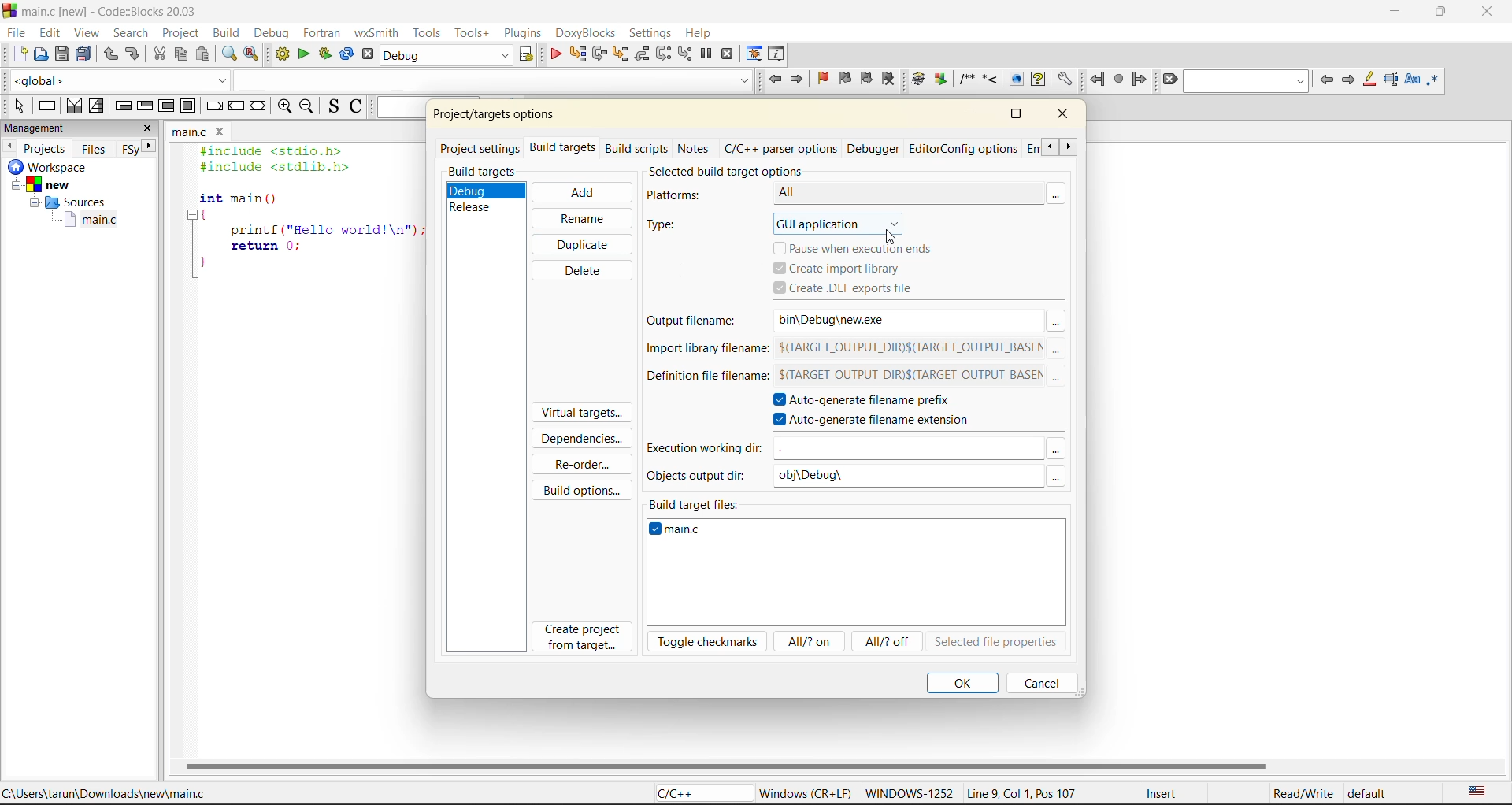 The image size is (1512, 805). What do you see at coordinates (230, 54) in the screenshot?
I see `find` at bounding box center [230, 54].